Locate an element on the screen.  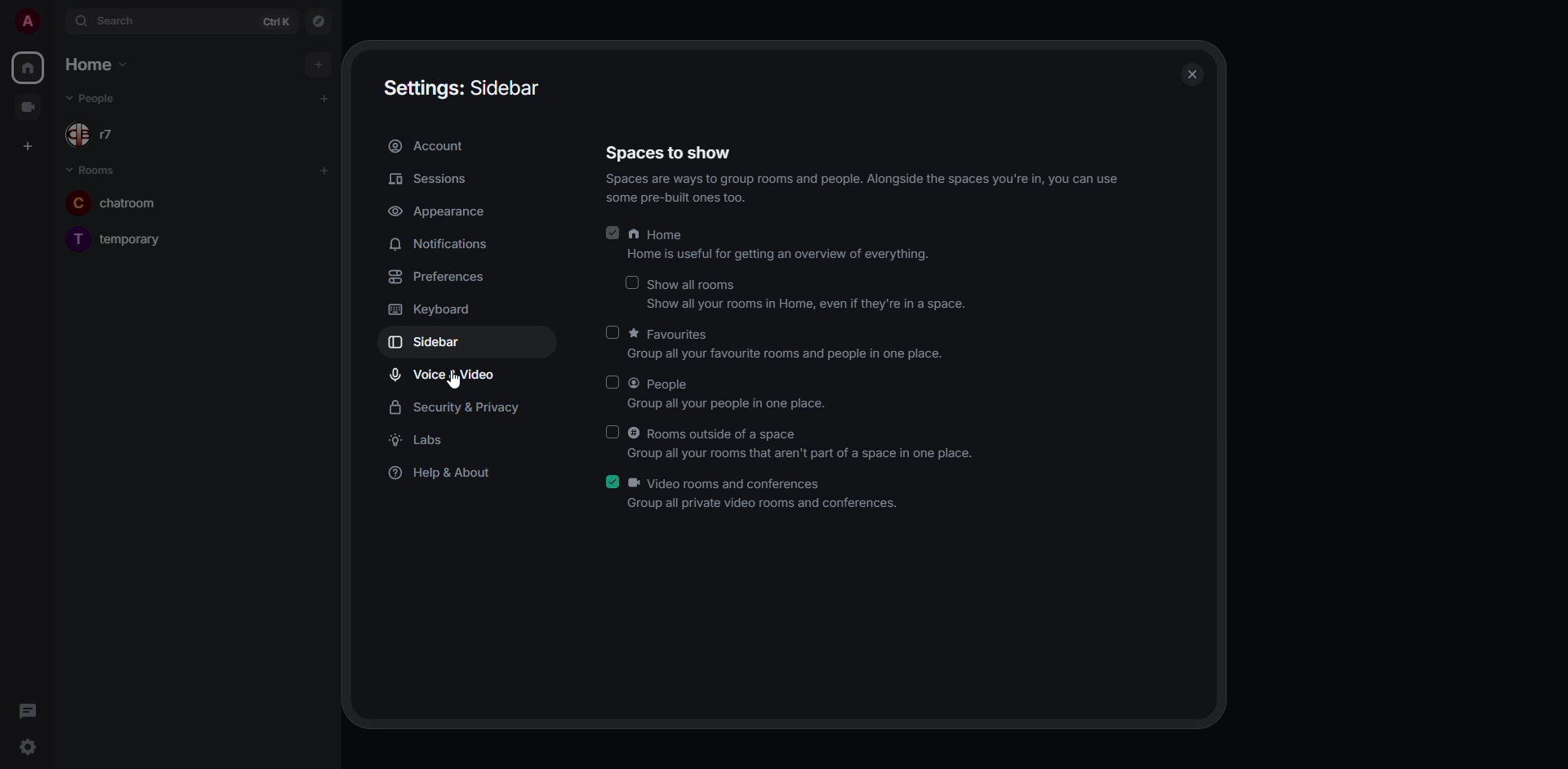
group all you favorite rooms and people in one place is located at coordinates (791, 354).